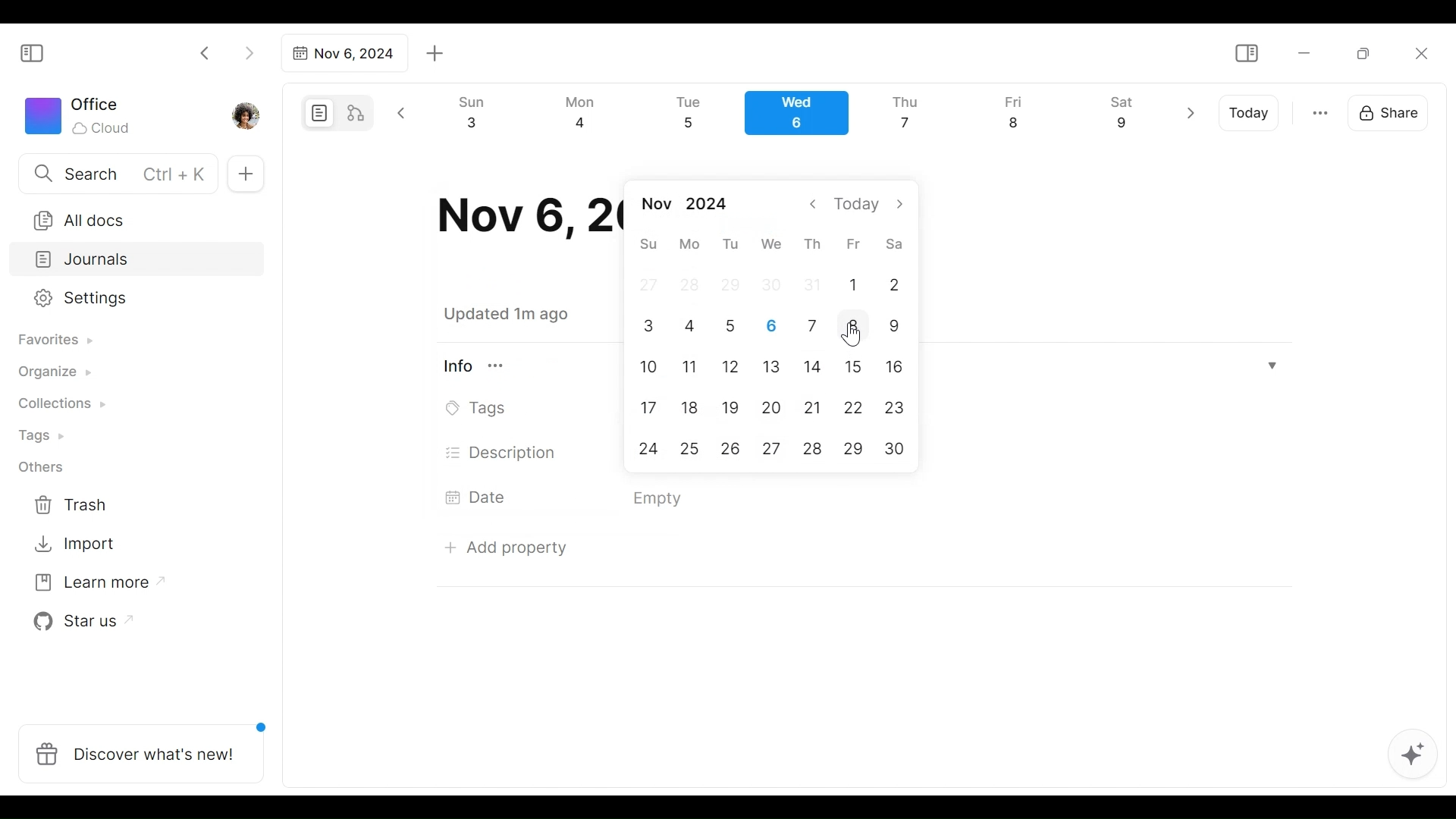 The width and height of the screenshot is (1456, 819). What do you see at coordinates (662, 499) in the screenshot?
I see `Empty` at bounding box center [662, 499].